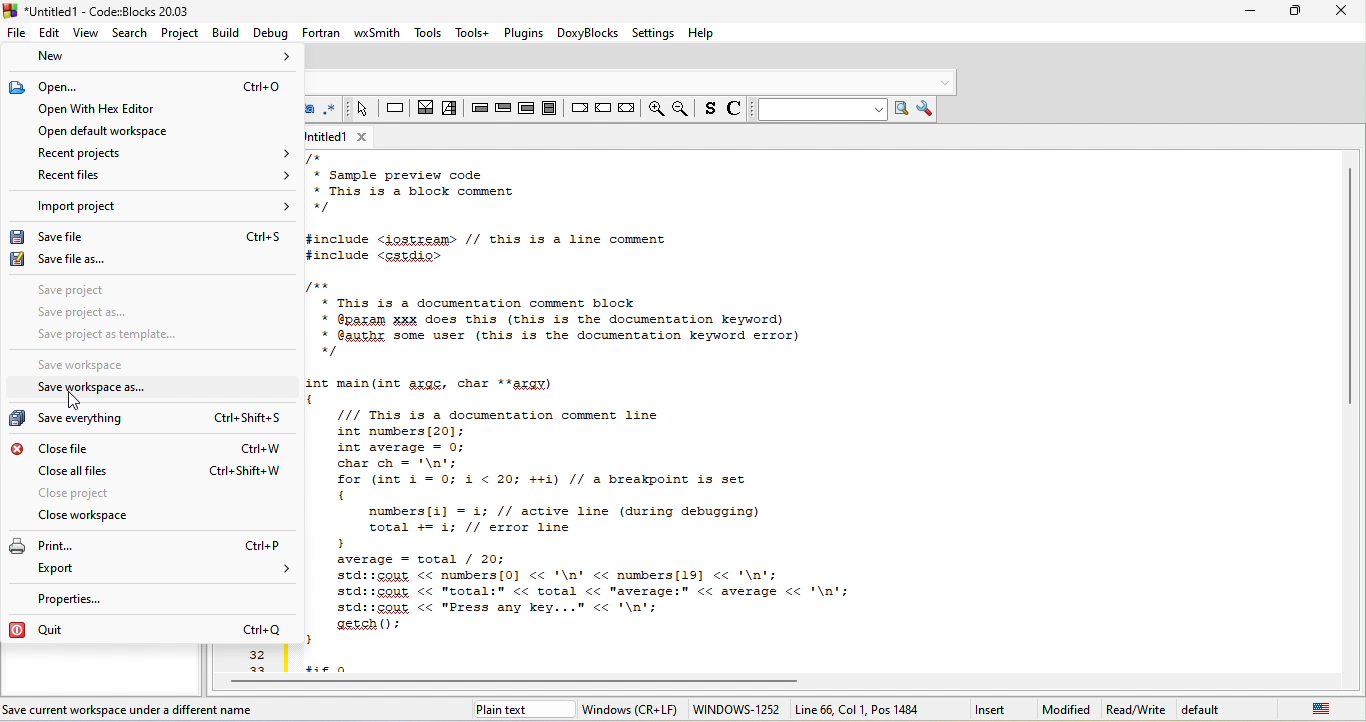 This screenshot has height=722, width=1366. Describe the element at coordinates (734, 111) in the screenshot. I see `toggle source` at that location.